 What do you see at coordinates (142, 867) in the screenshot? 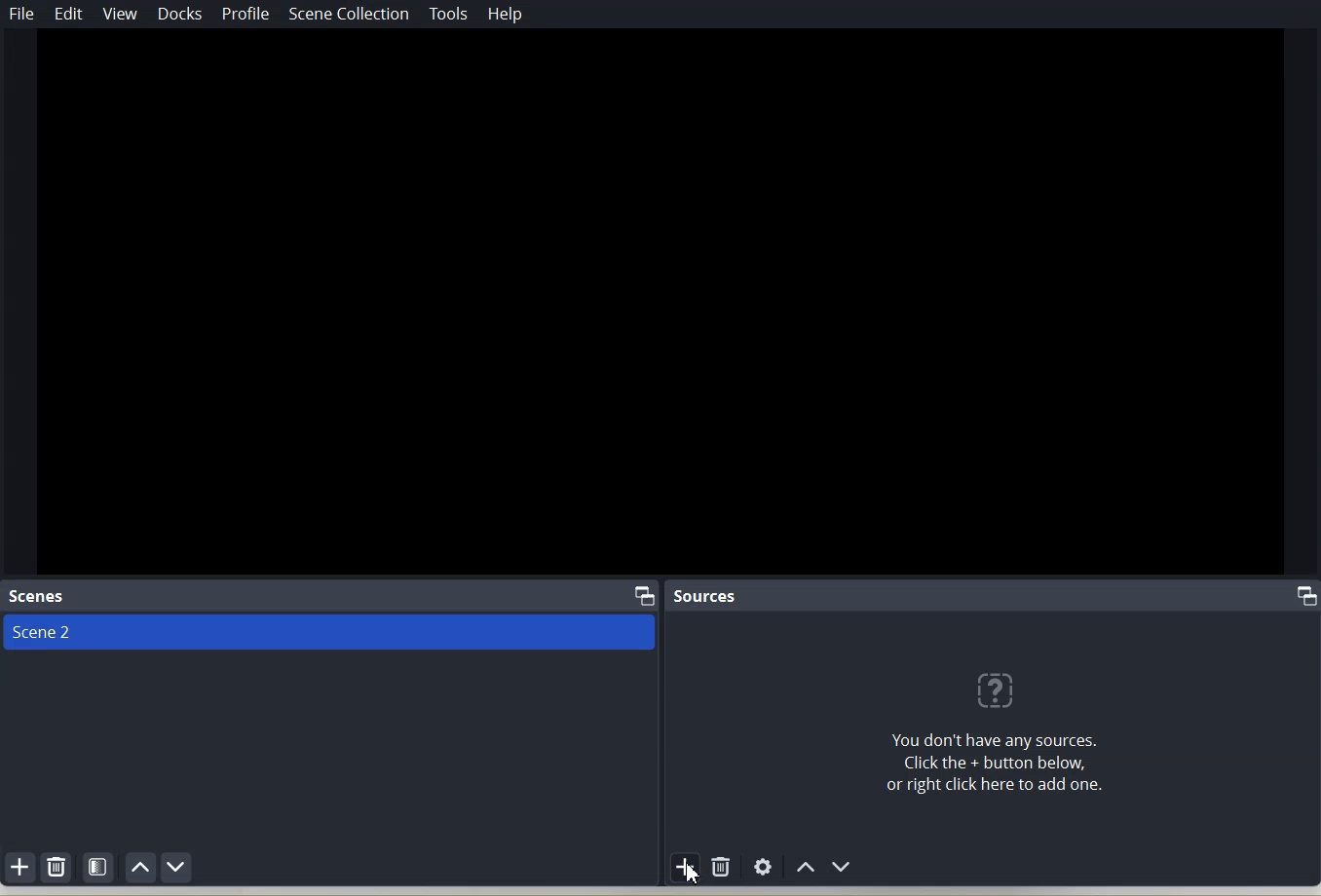
I see `Move scene up` at bounding box center [142, 867].